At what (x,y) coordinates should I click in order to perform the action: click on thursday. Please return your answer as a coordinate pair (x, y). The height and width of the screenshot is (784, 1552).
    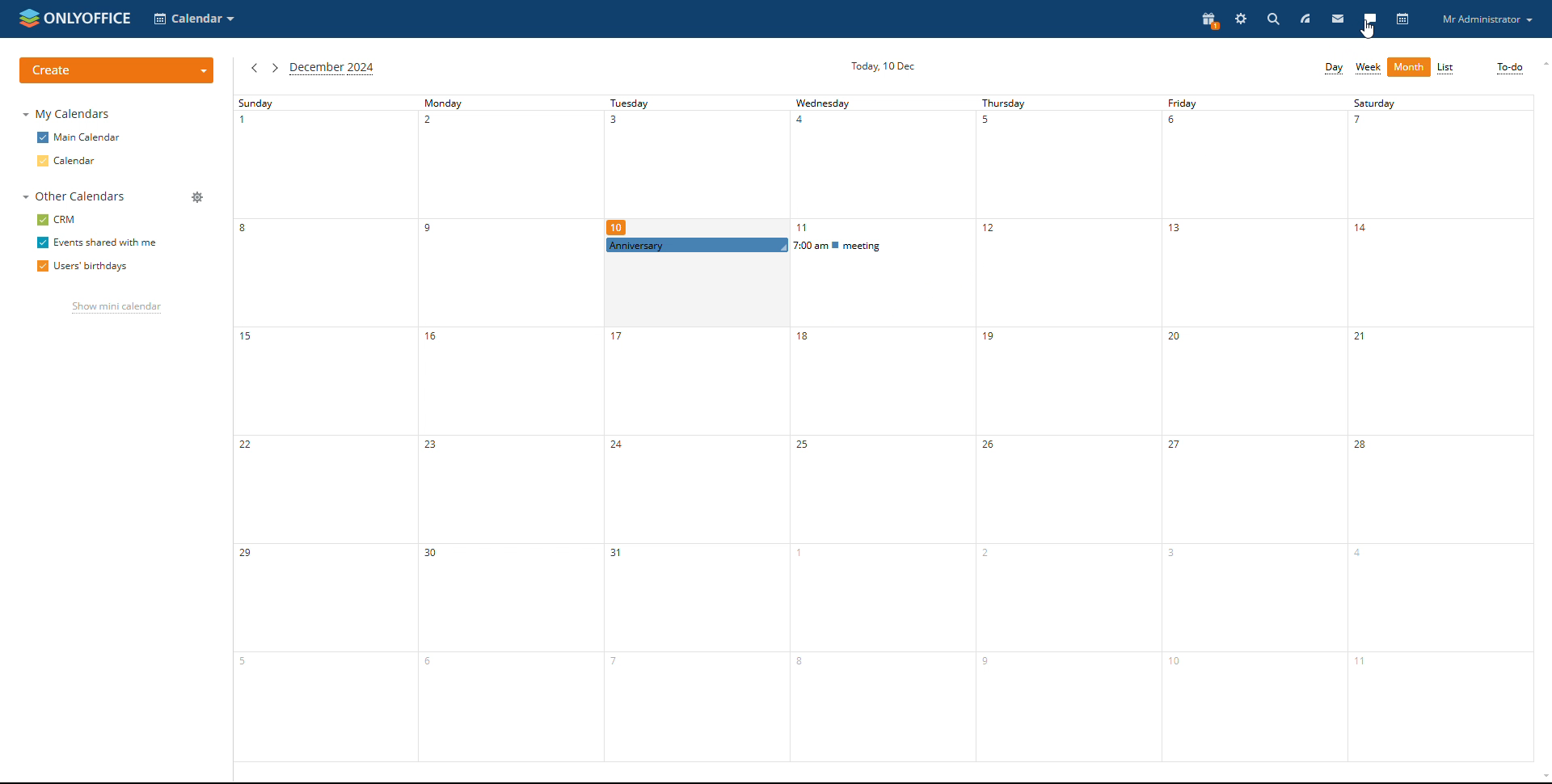
    Looking at the image, I should click on (1069, 428).